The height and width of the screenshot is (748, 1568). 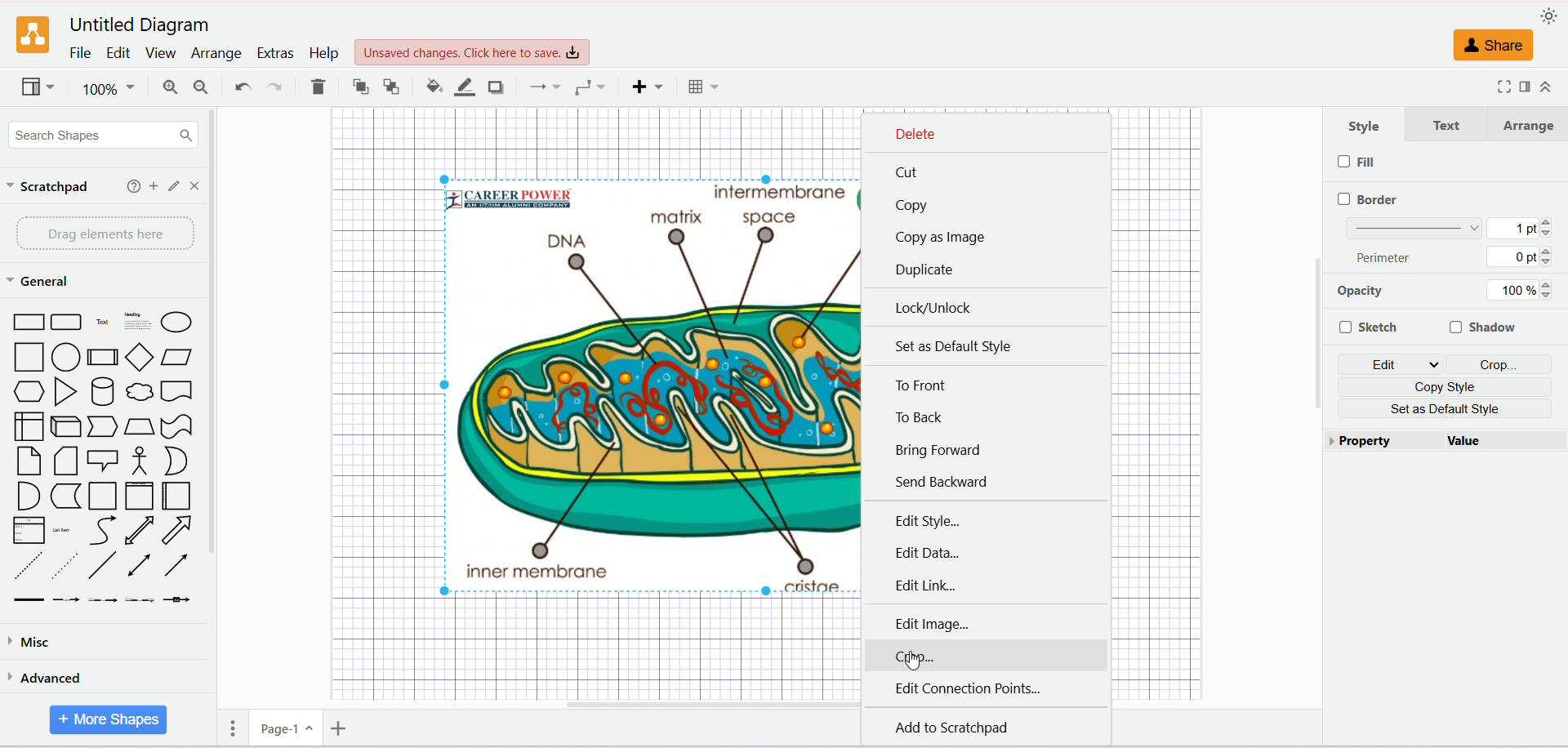 What do you see at coordinates (65, 358) in the screenshot?
I see `Circle` at bounding box center [65, 358].